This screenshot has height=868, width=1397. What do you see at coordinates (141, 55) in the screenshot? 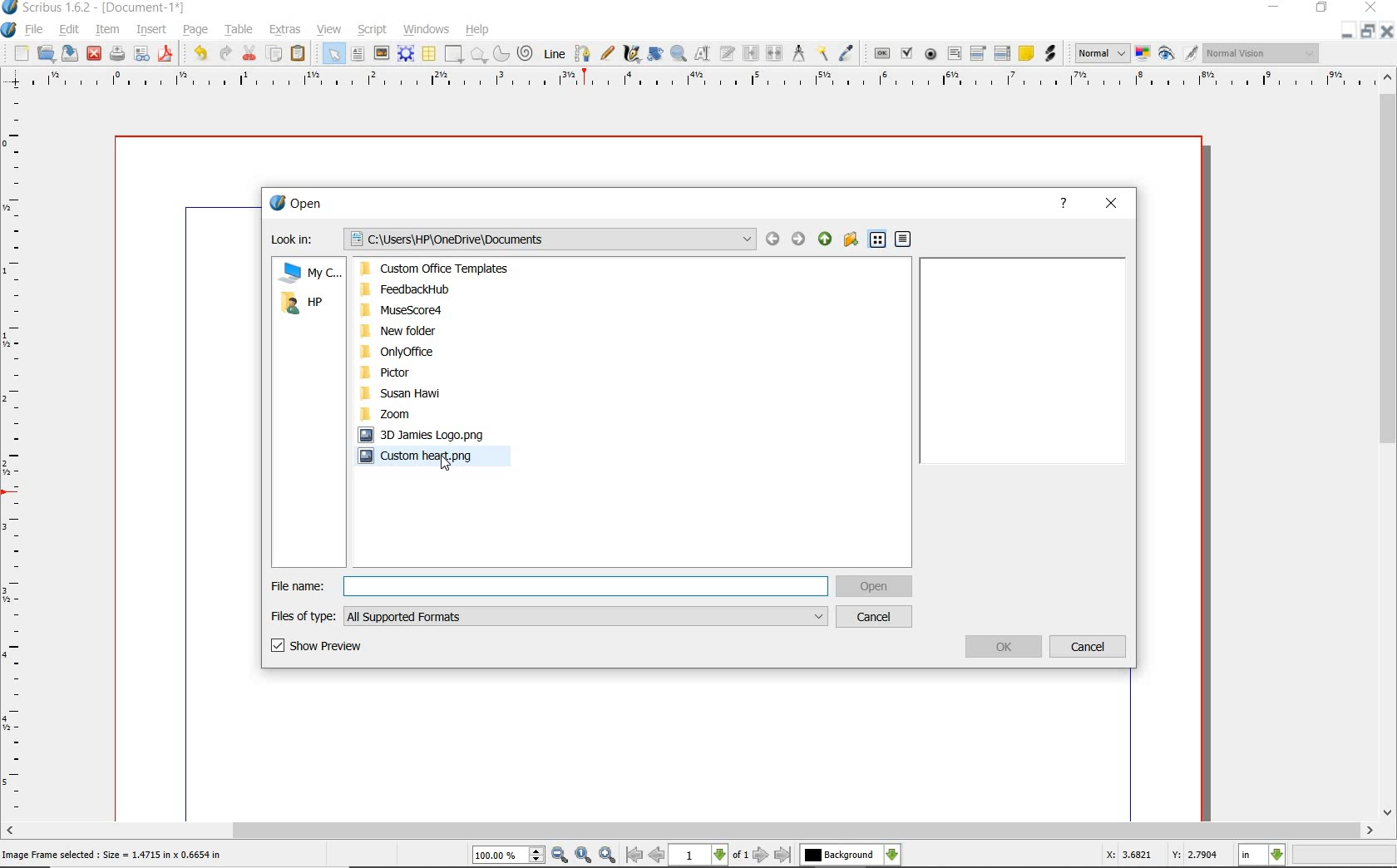
I see `preflight verifier` at bounding box center [141, 55].